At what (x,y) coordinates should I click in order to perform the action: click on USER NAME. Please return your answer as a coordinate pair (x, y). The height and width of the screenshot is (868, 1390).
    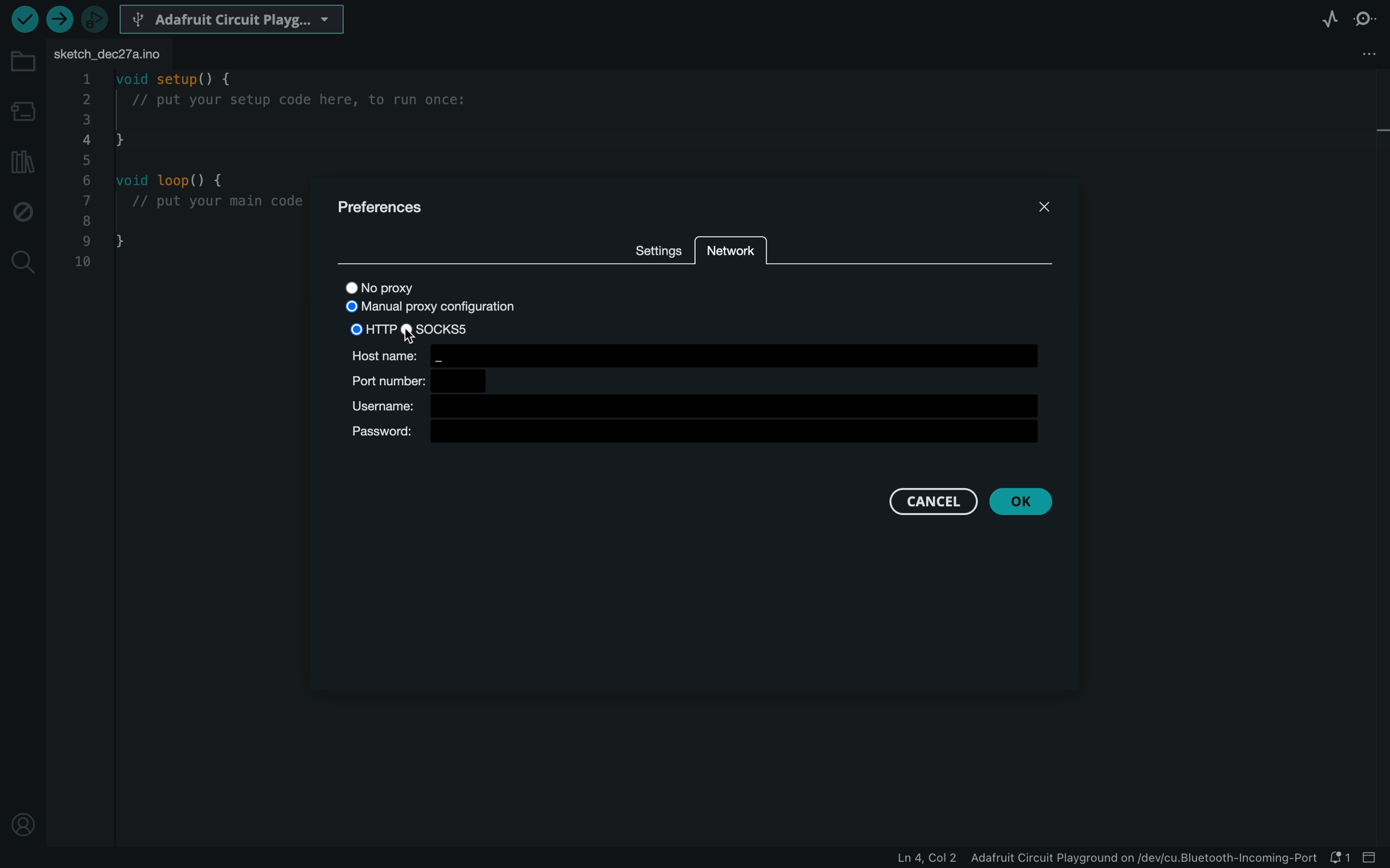
    Looking at the image, I should click on (691, 405).